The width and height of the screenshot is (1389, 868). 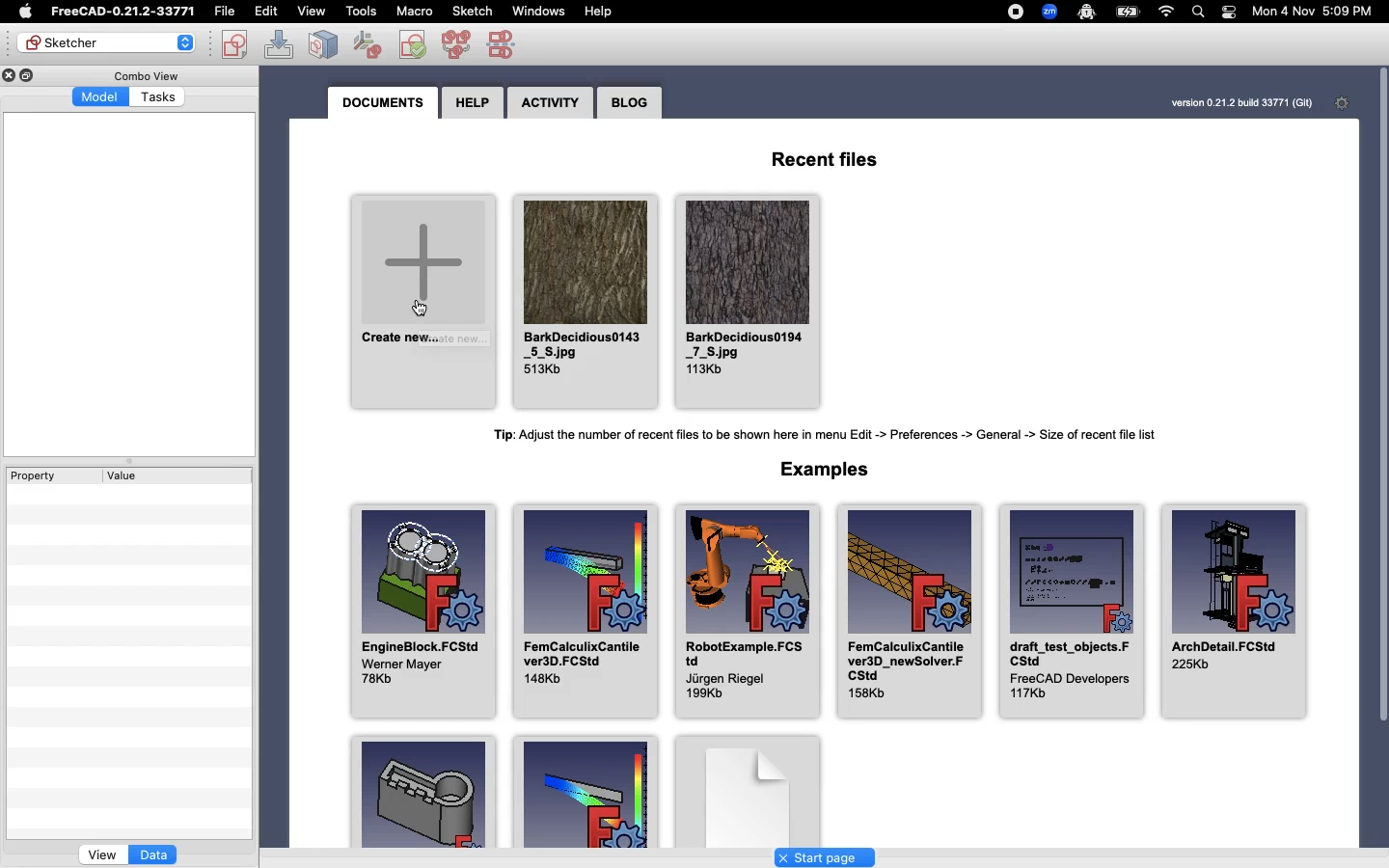 What do you see at coordinates (1313, 12) in the screenshot?
I see `Mon 4 Nov 5:09 PM` at bounding box center [1313, 12].